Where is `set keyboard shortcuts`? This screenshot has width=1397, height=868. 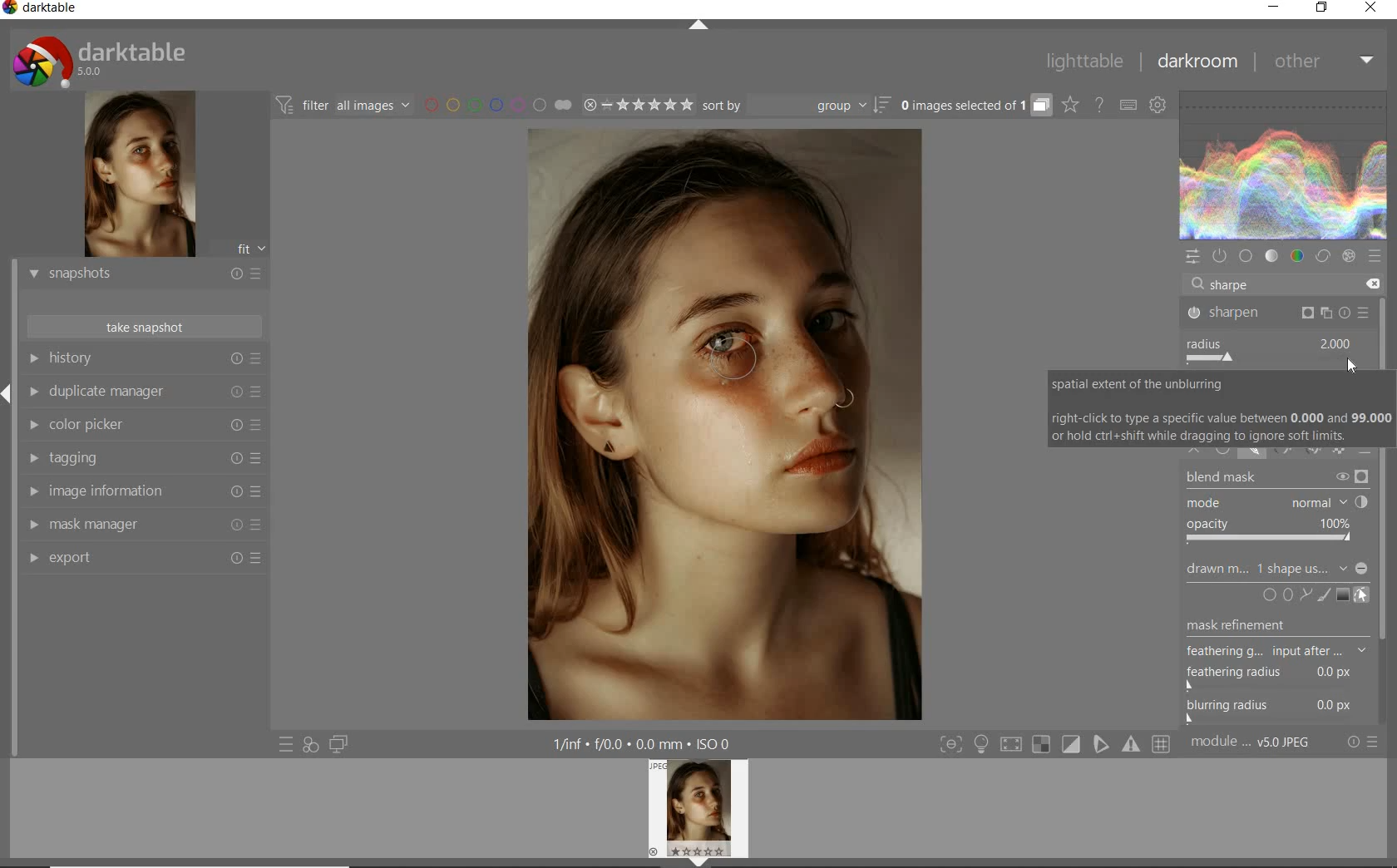 set keyboard shortcuts is located at coordinates (1128, 106).